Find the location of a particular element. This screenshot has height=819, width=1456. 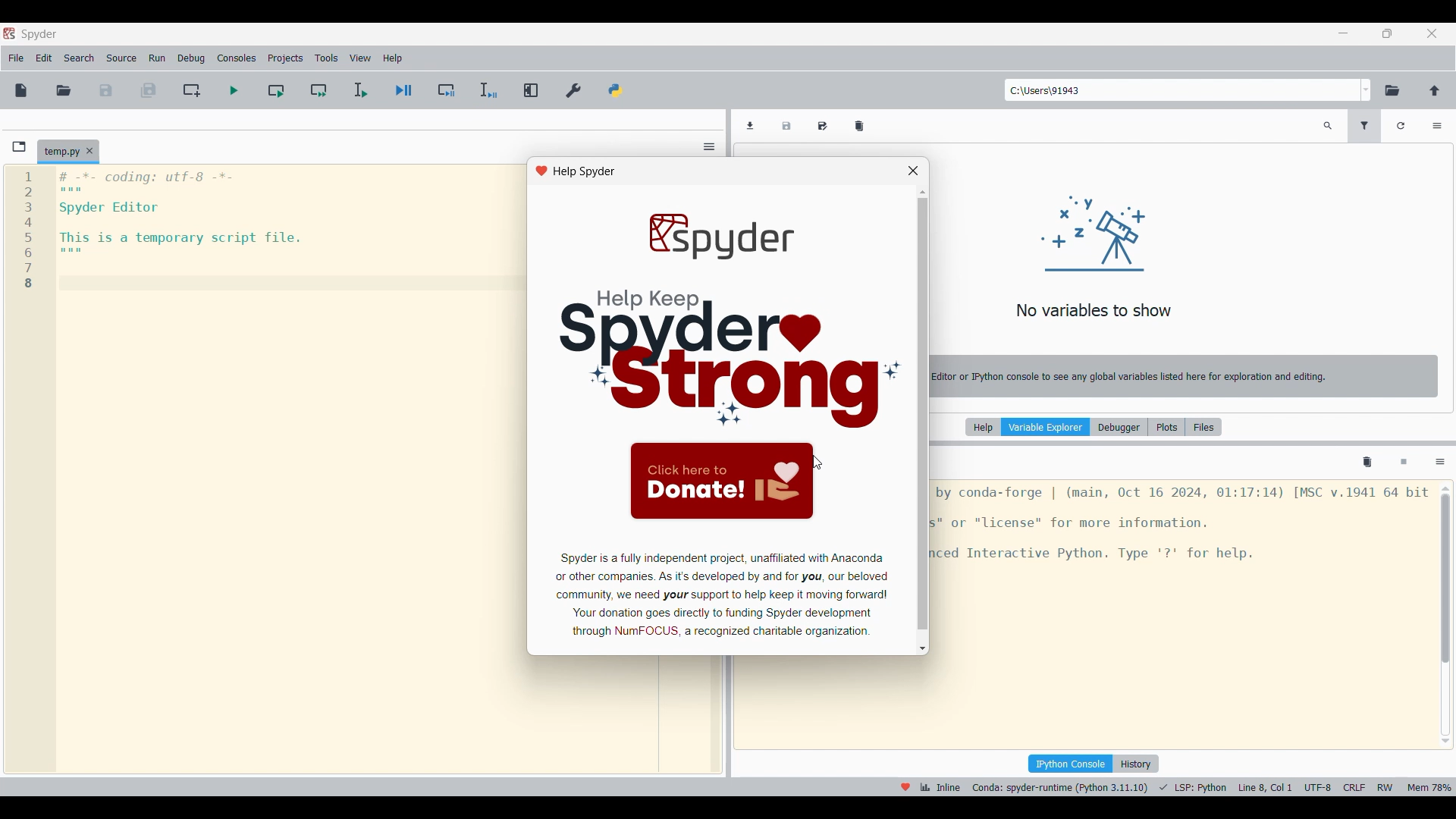

cursor details is located at coordinates (1266, 786).